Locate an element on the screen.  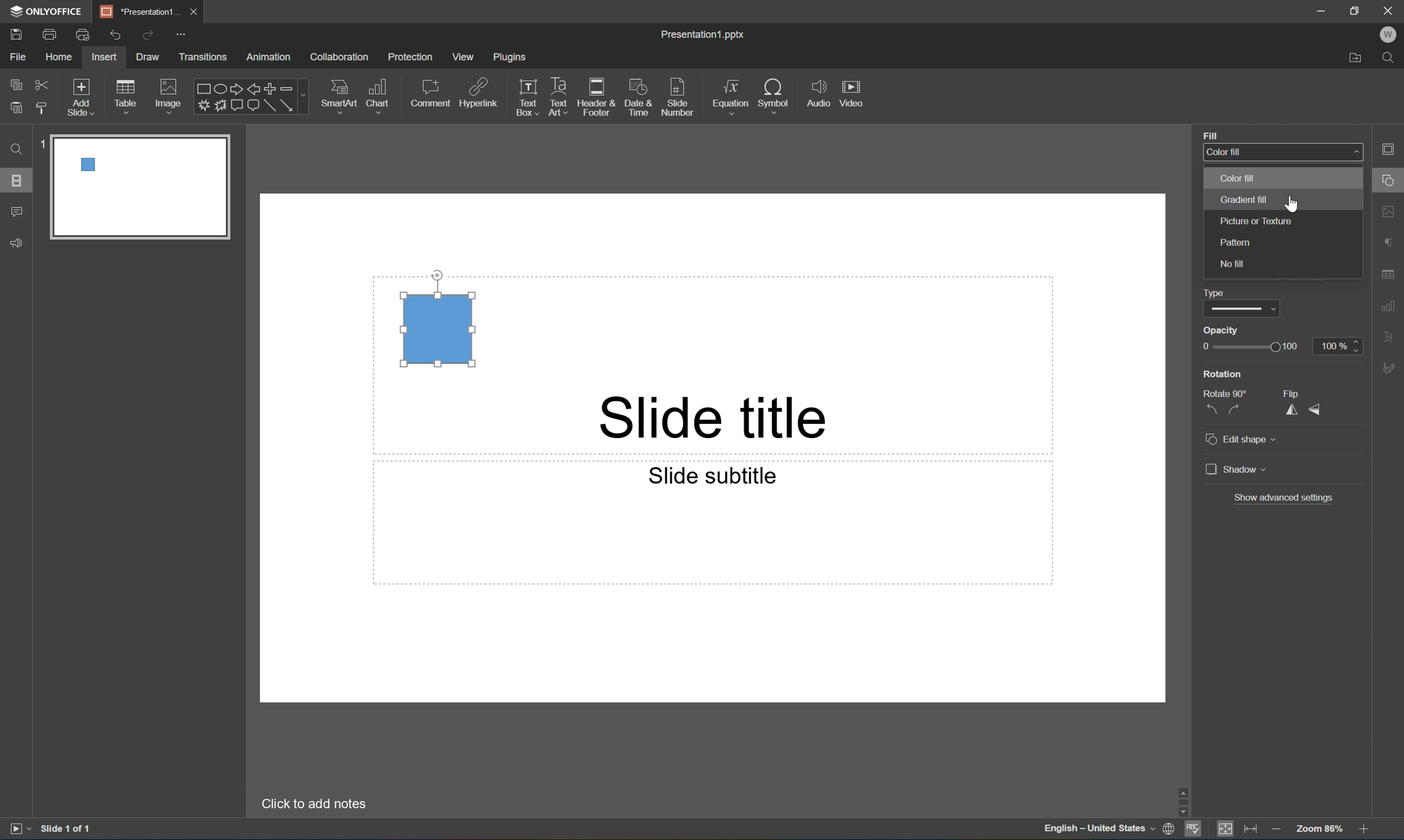
English-United States is located at coordinates (1097, 830).